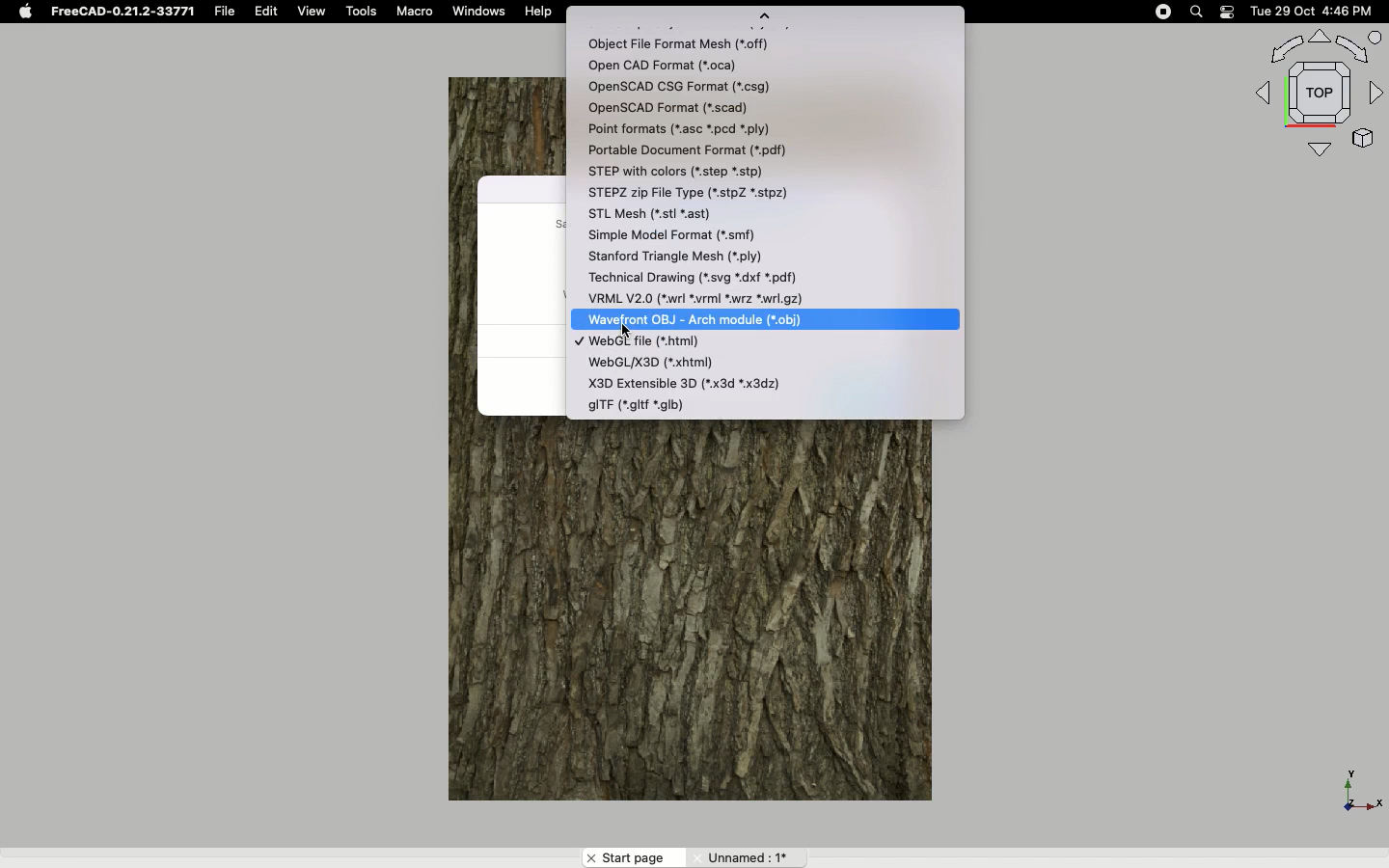 This screenshot has height=868, width=1389. What do you see at coordinates (711, 256) in the screenshot?
I see `Stanford triangle mesh(*.ply)` at bounding box center [711, 256].